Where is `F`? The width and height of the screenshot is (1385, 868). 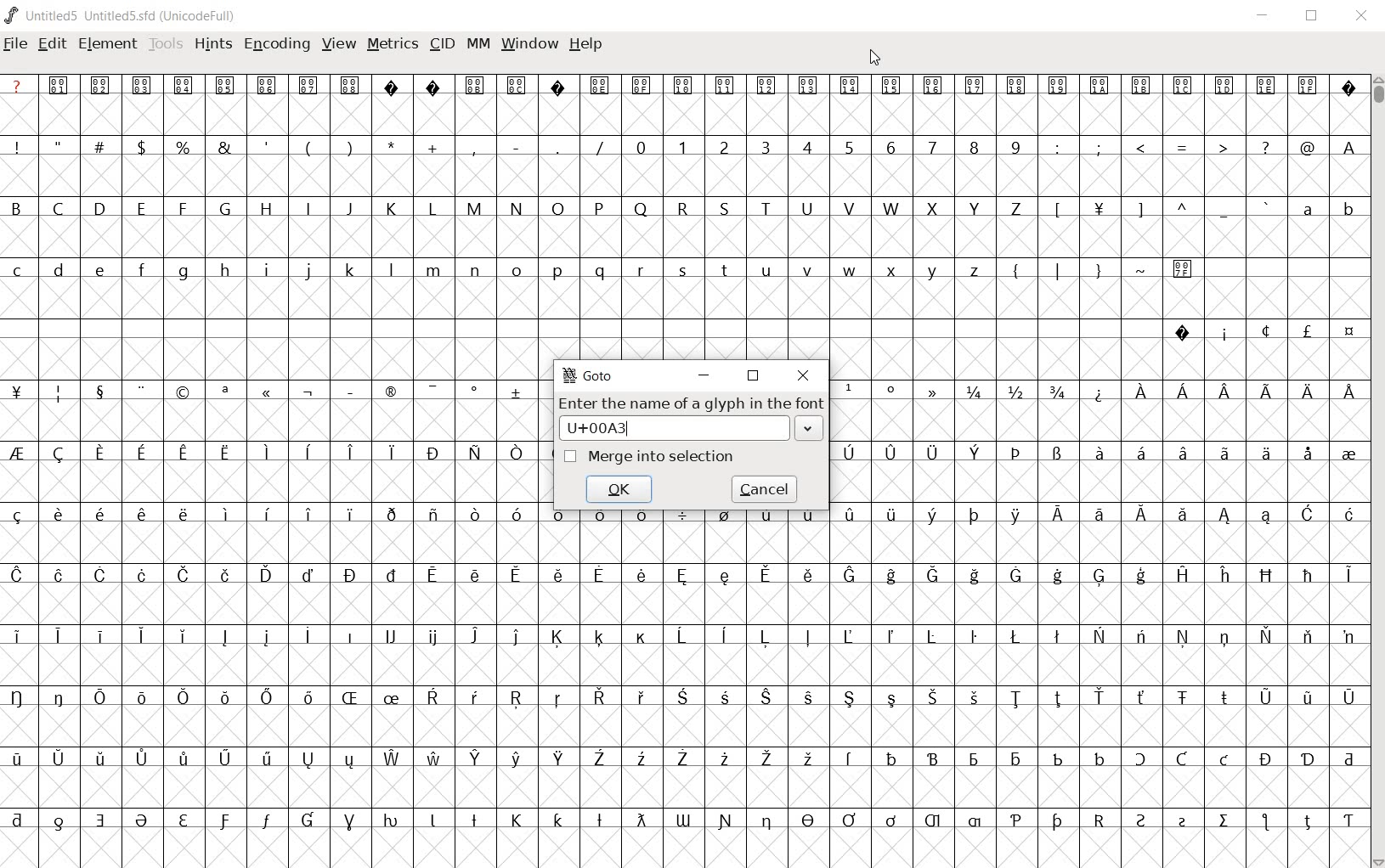 F is located at coordinates (182, 209).